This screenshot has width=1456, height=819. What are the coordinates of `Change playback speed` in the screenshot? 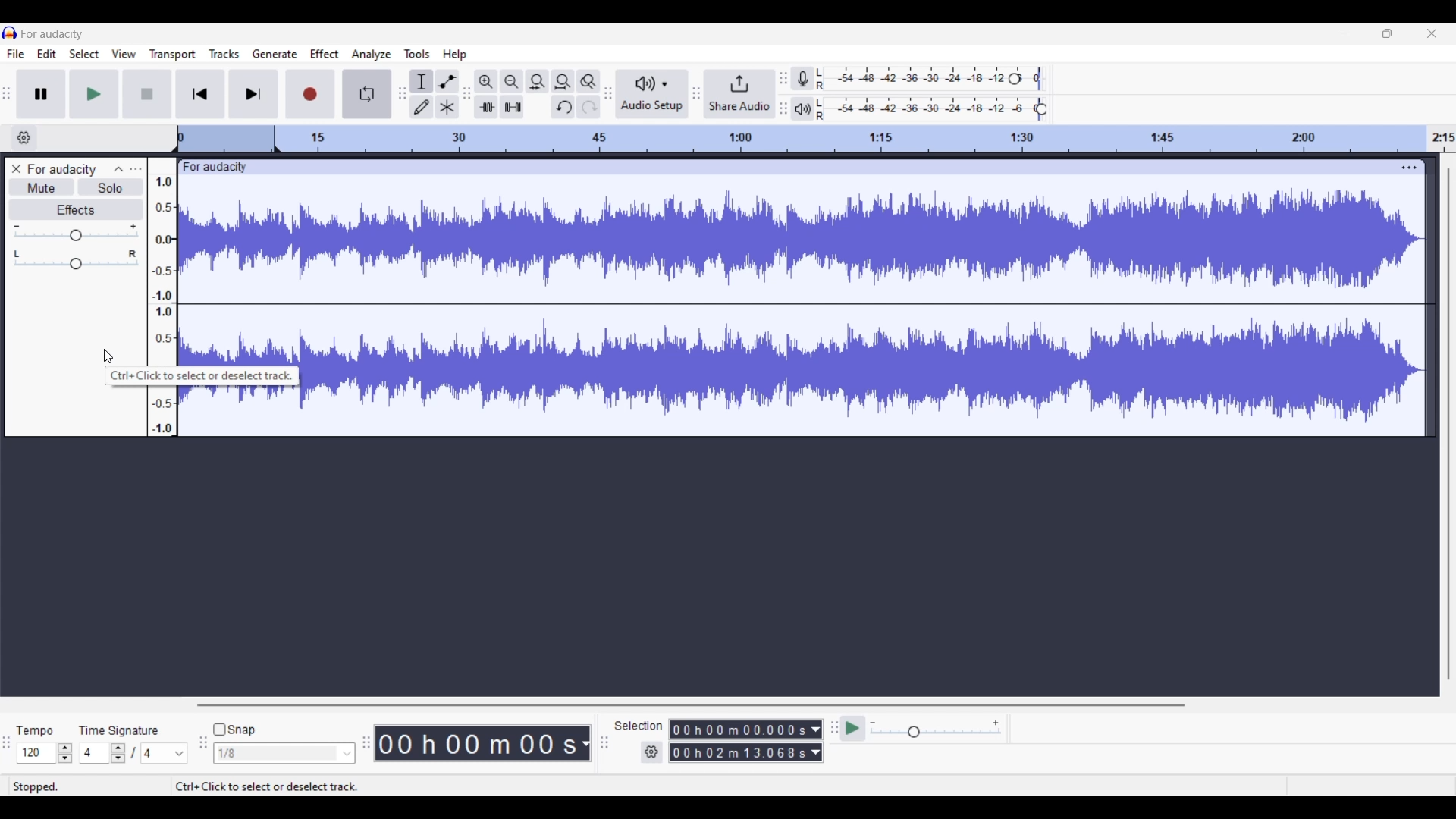 It's located at (935, 733).